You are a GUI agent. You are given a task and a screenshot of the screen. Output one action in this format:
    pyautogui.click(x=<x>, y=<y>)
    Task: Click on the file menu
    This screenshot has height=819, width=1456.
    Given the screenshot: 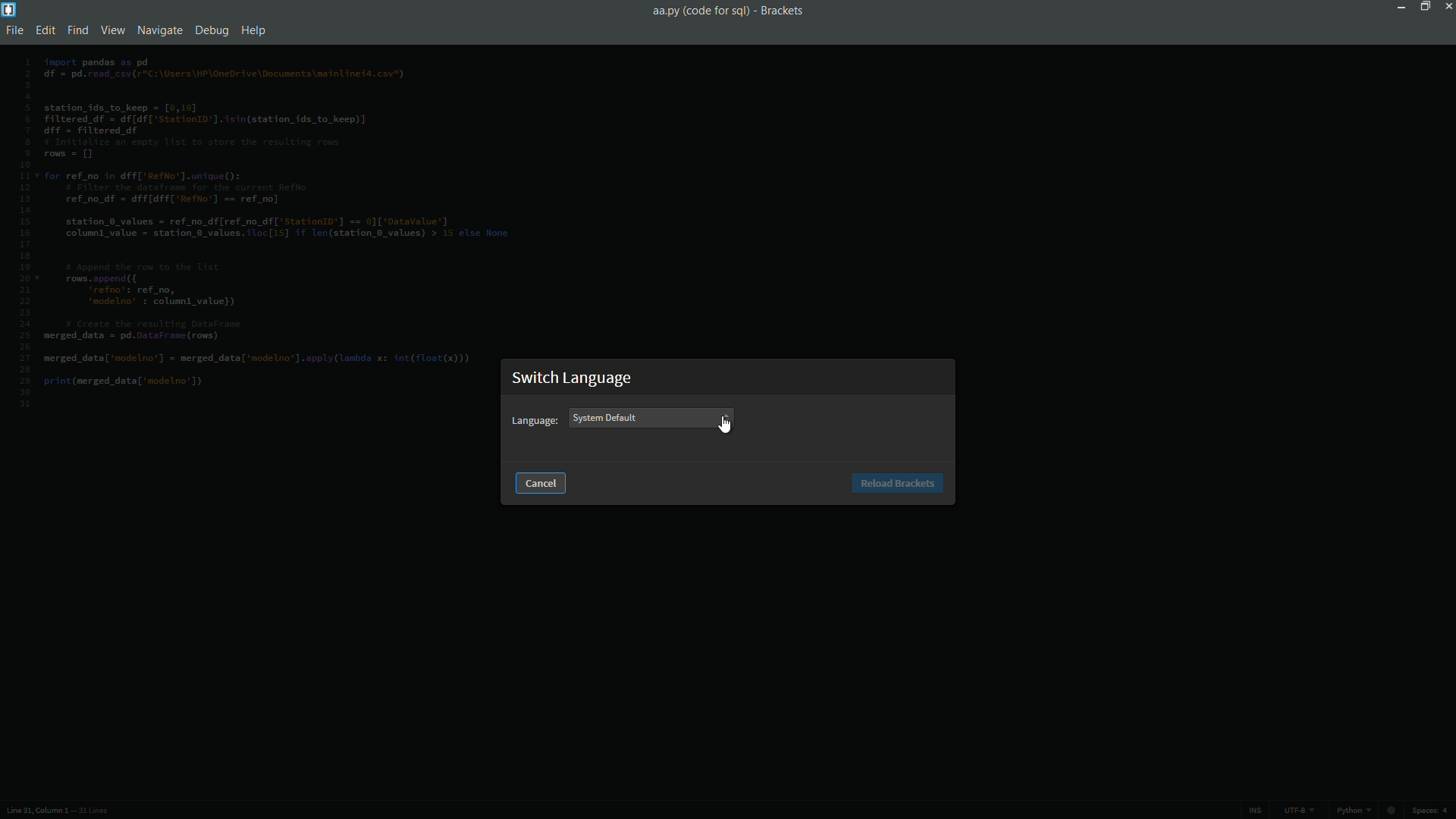 What is the action you would take?
    pyautogui.click(x=17, y=31)
    